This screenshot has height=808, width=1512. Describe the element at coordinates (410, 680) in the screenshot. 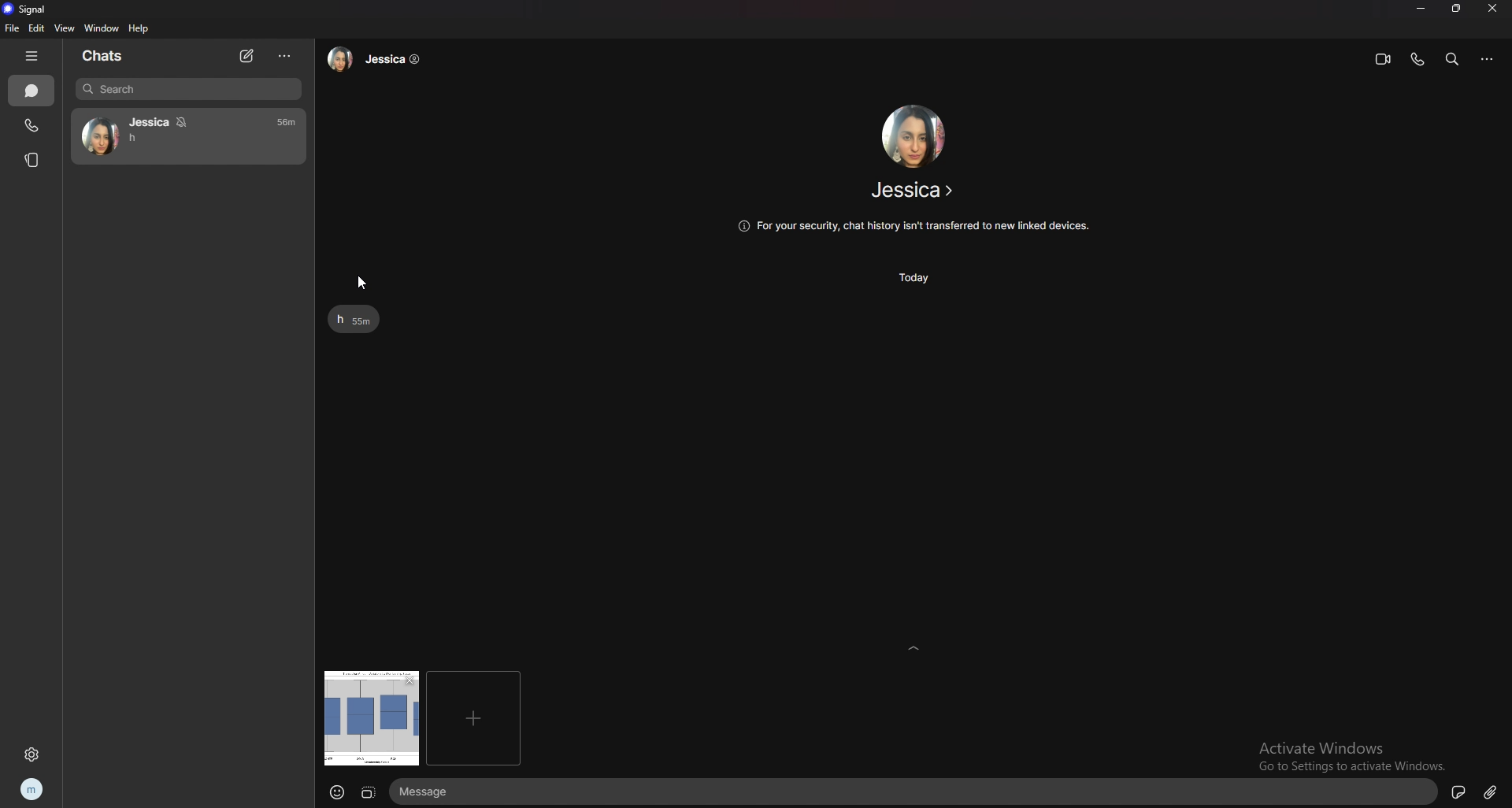

I see `remove photo` at that location.